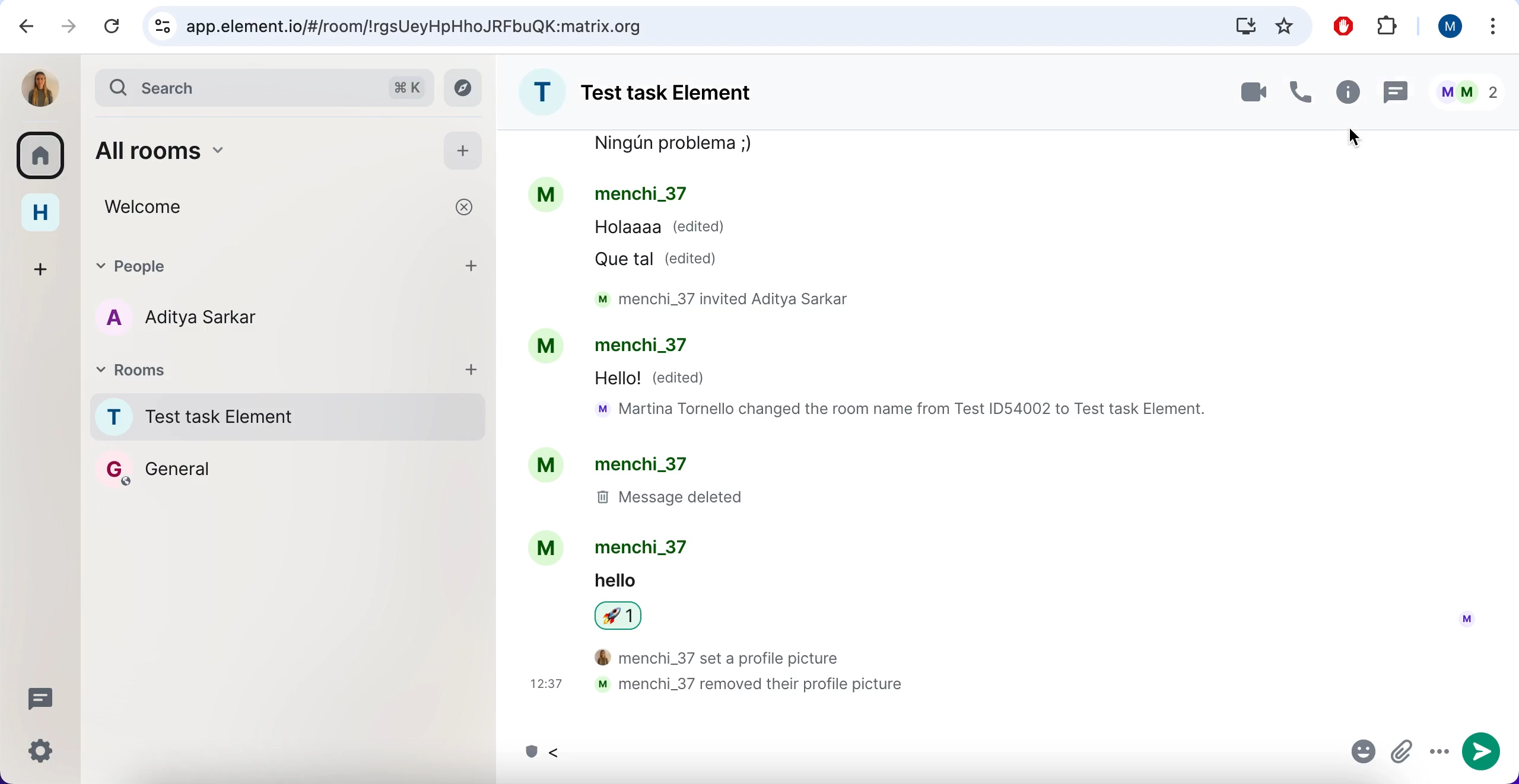 This screenshot has height=784, width=1519. Describe the element at coordinates (291, 209) in the screenshot. I see `welcome` at that location.